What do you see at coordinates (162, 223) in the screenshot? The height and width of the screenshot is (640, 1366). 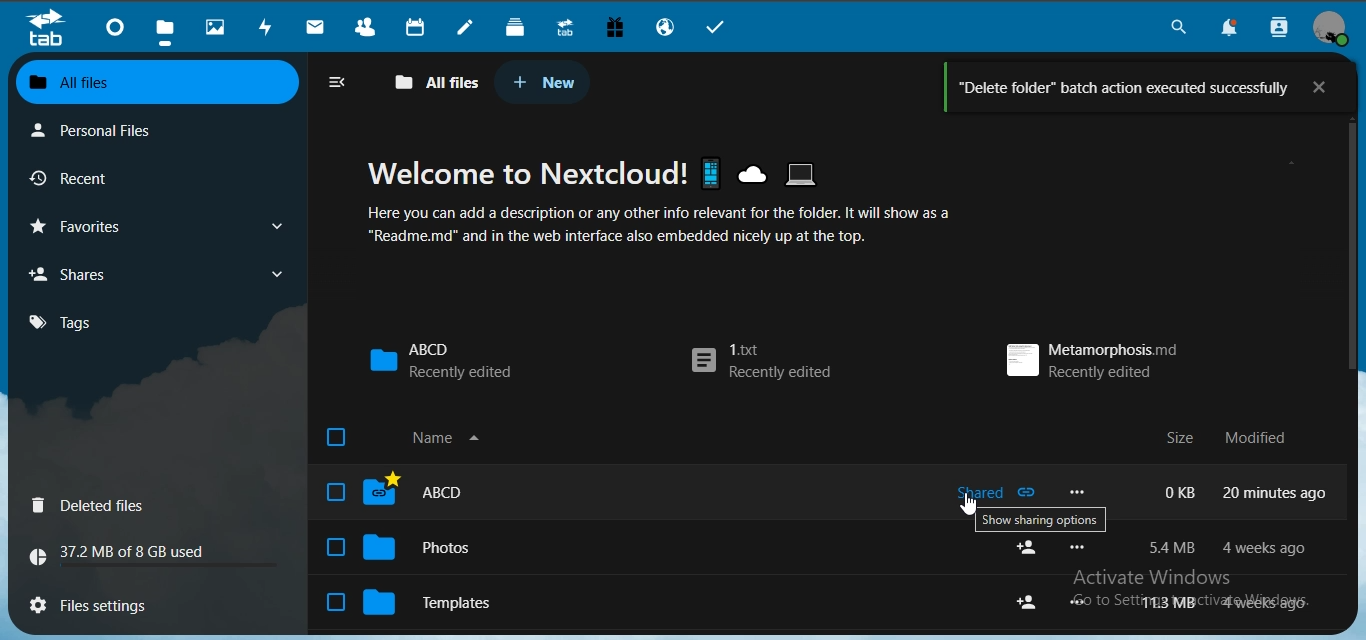 I see `favorites` at bounding box center [162, 223].